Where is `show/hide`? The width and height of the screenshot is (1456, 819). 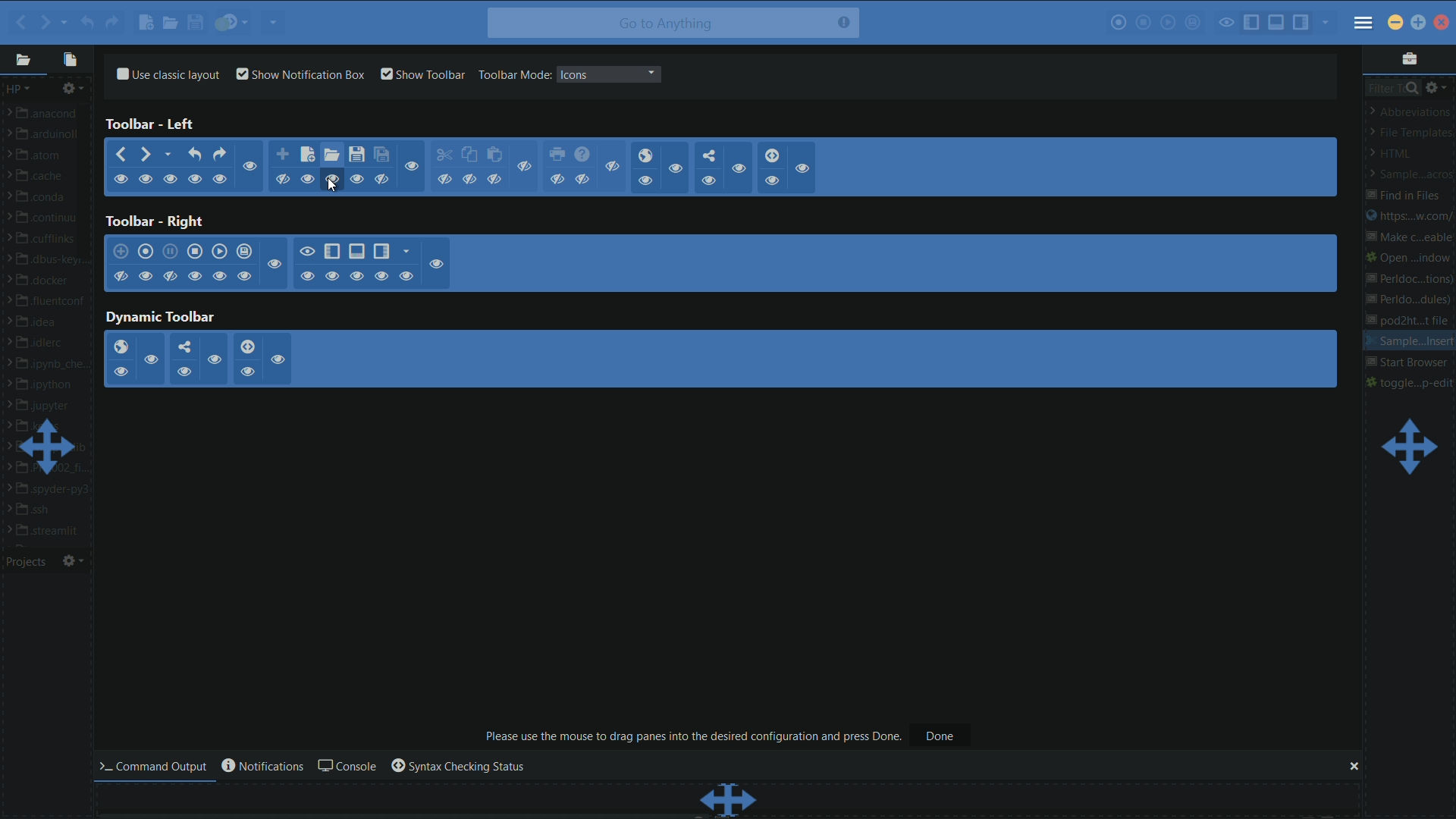 show/hide is located at coordinates (444, 180).